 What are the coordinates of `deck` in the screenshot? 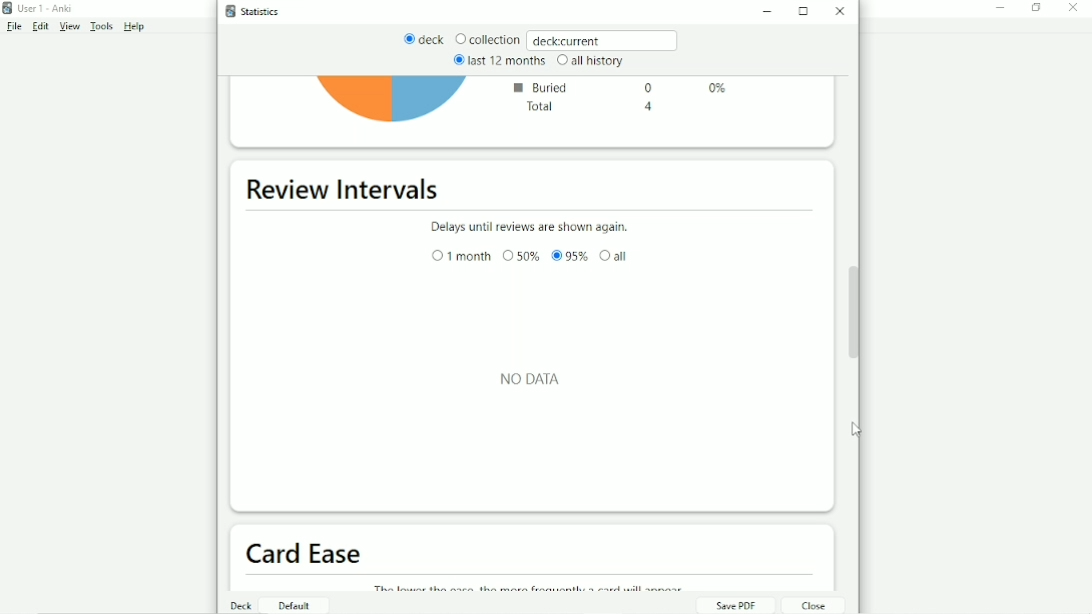 It's located at (424, 40).